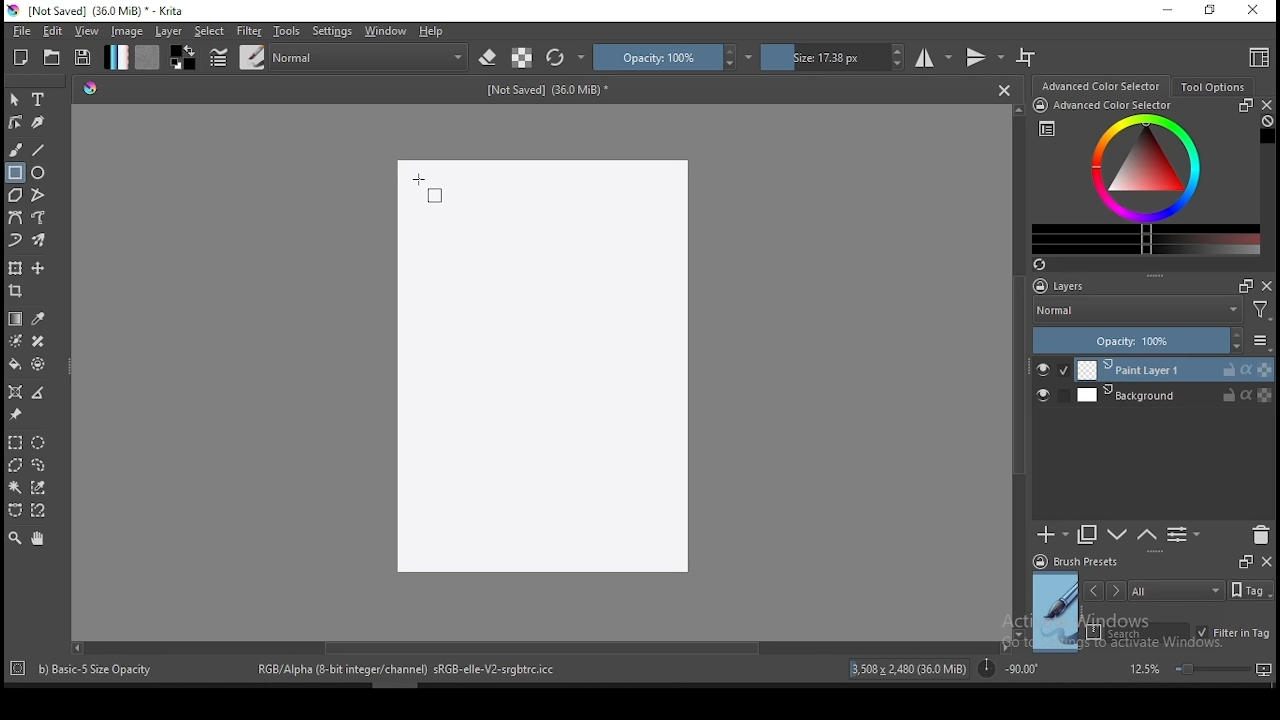 Image resolution: width=1280 pixels, height=720 pixels. What do you see at coordinates (39, 121) in the screenshot?
I see `calligraphy` at bounding box center [39, 121].